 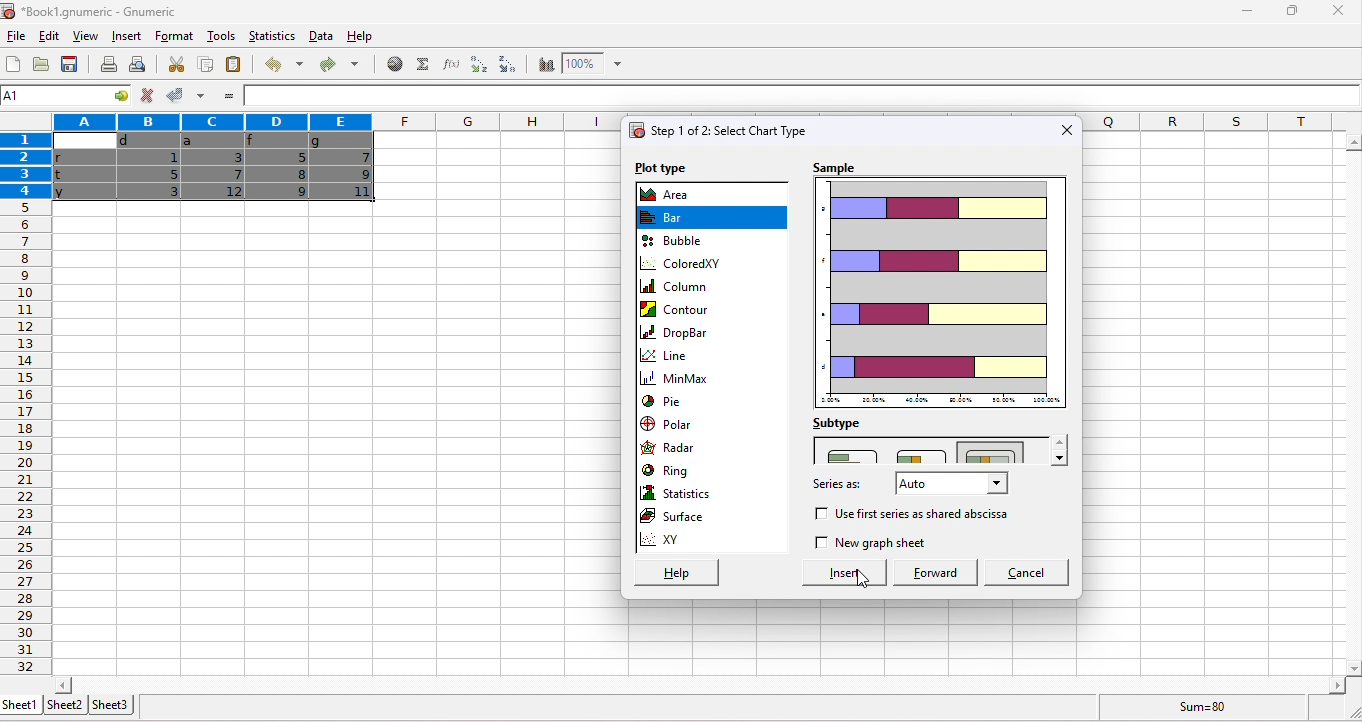 What do you see at coordinates (840, 424) in the screenshot?
I see `subtype` at bounding box center [840, 424].